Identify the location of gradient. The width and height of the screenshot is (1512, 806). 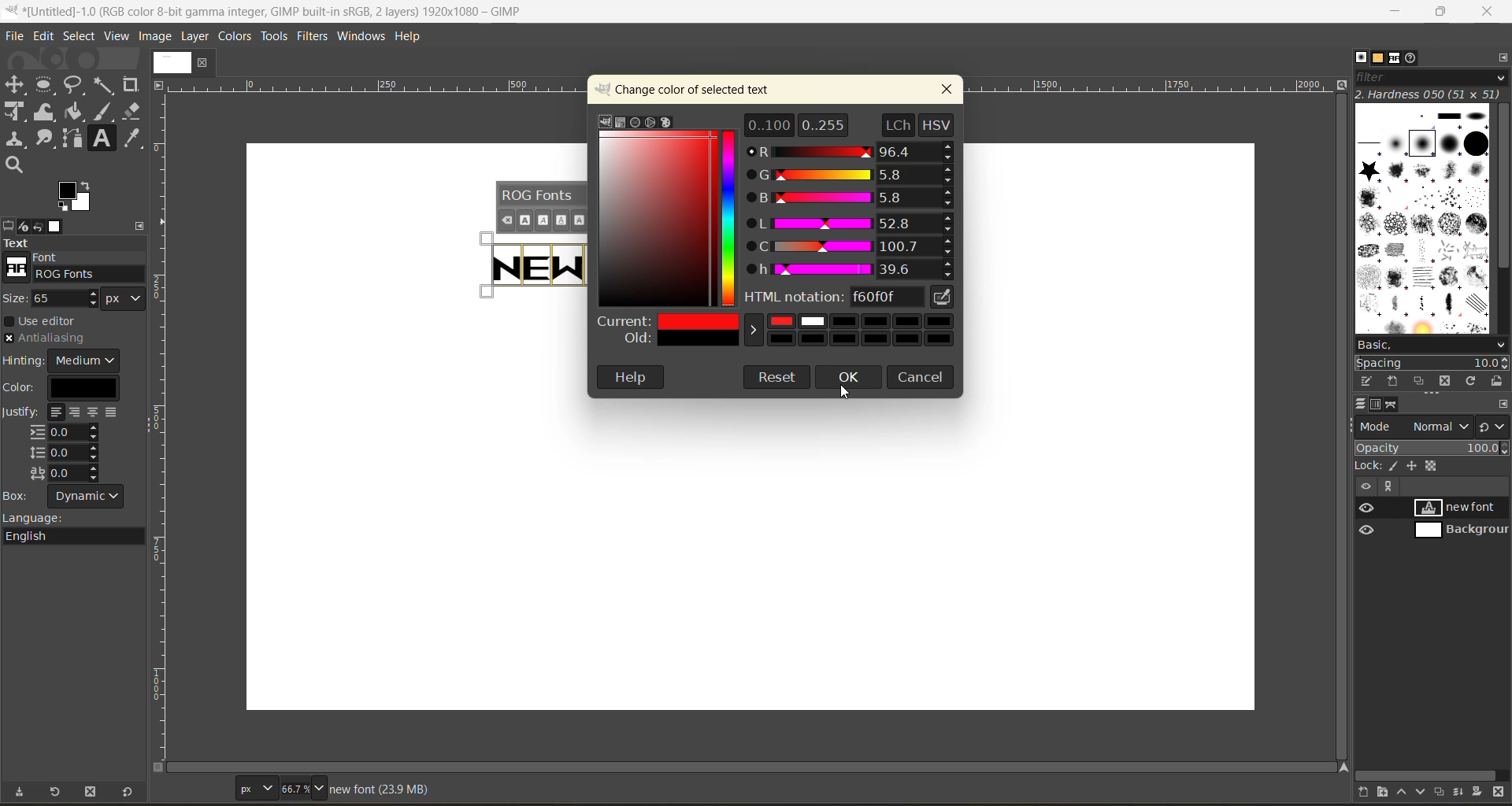
(657, 220).